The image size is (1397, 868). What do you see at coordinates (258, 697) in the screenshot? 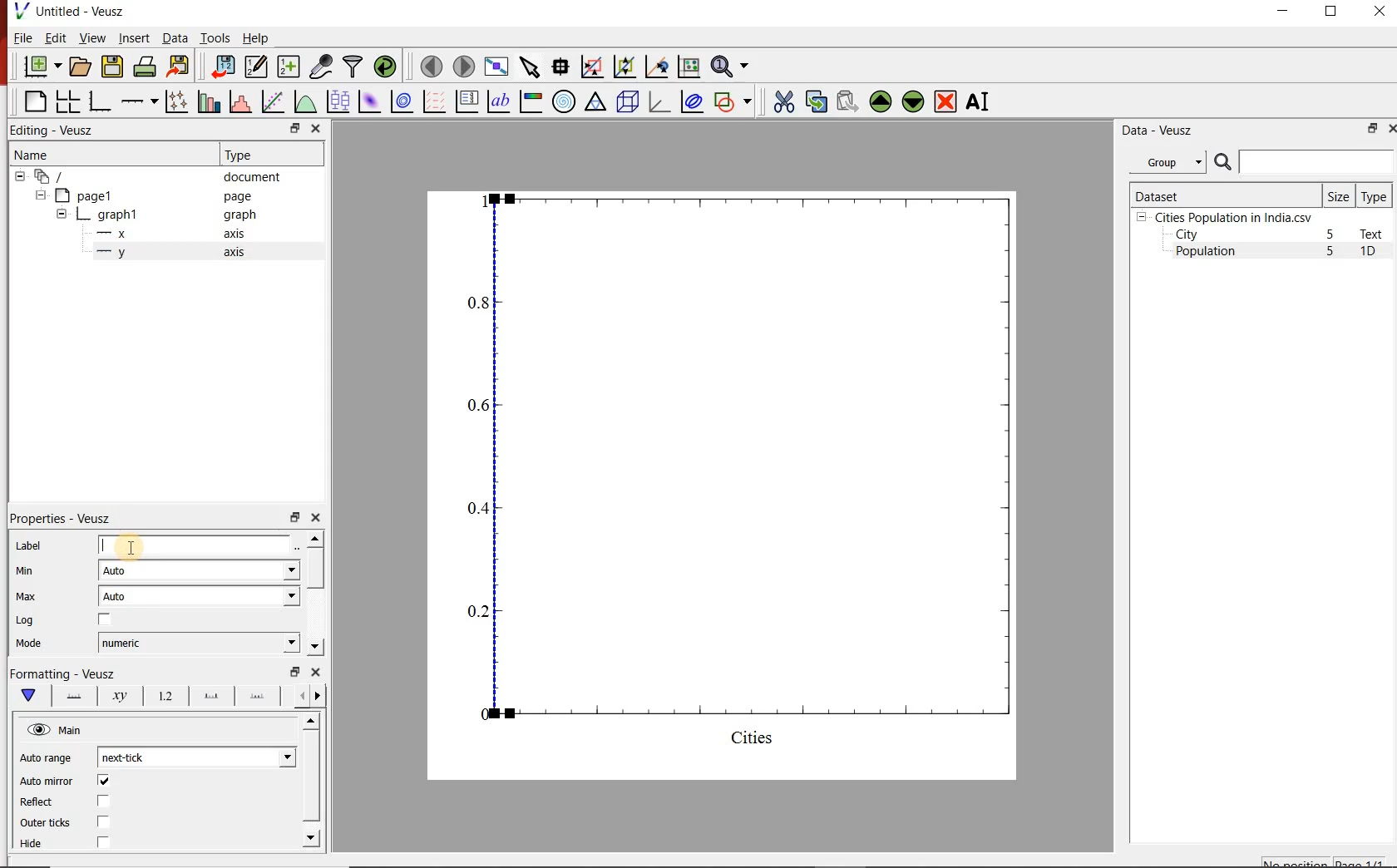
I see `minor ticks` at bounding box center [258, 697].